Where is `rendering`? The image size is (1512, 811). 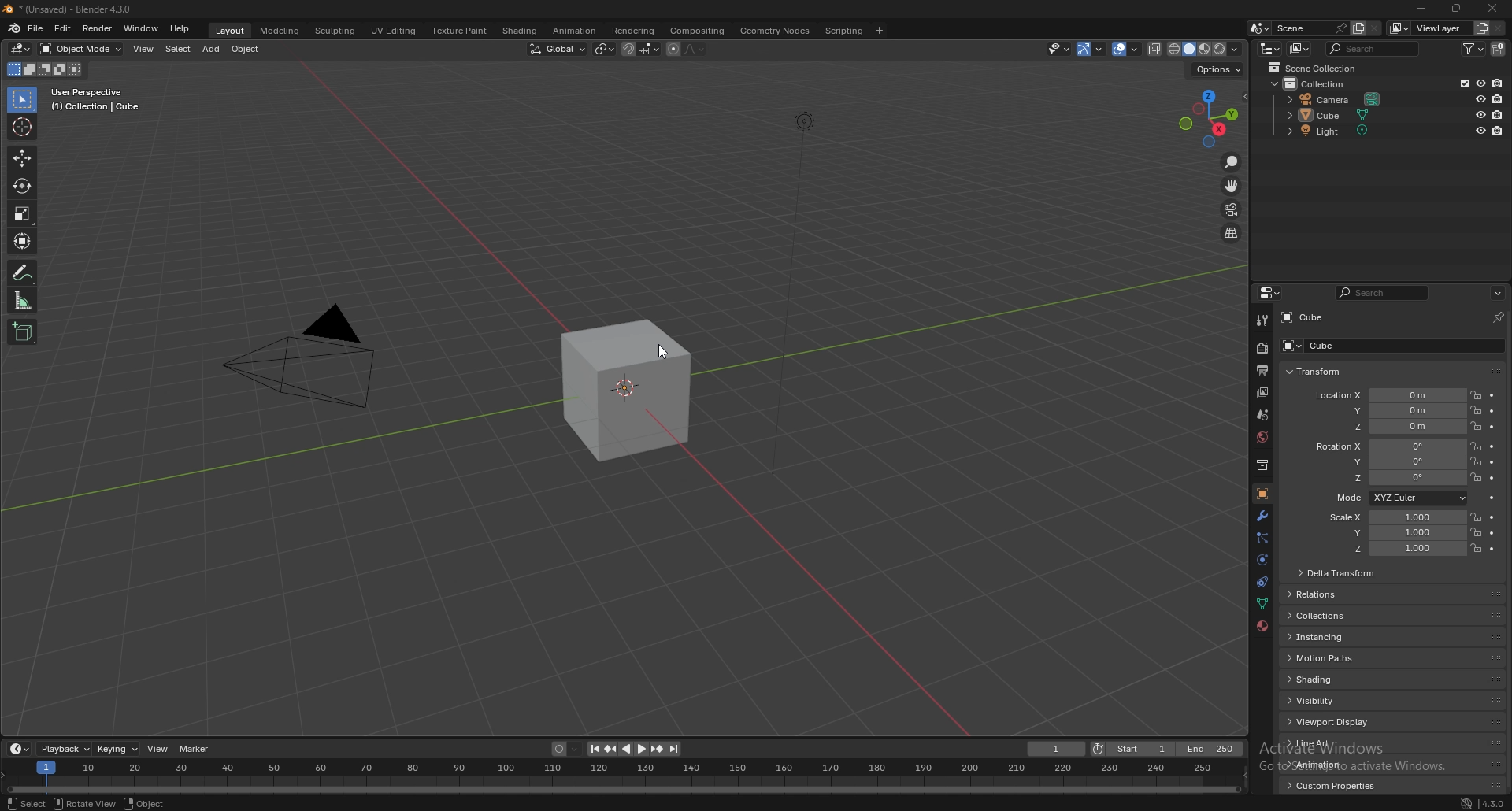
rendering is located at coordinates (634, 31).